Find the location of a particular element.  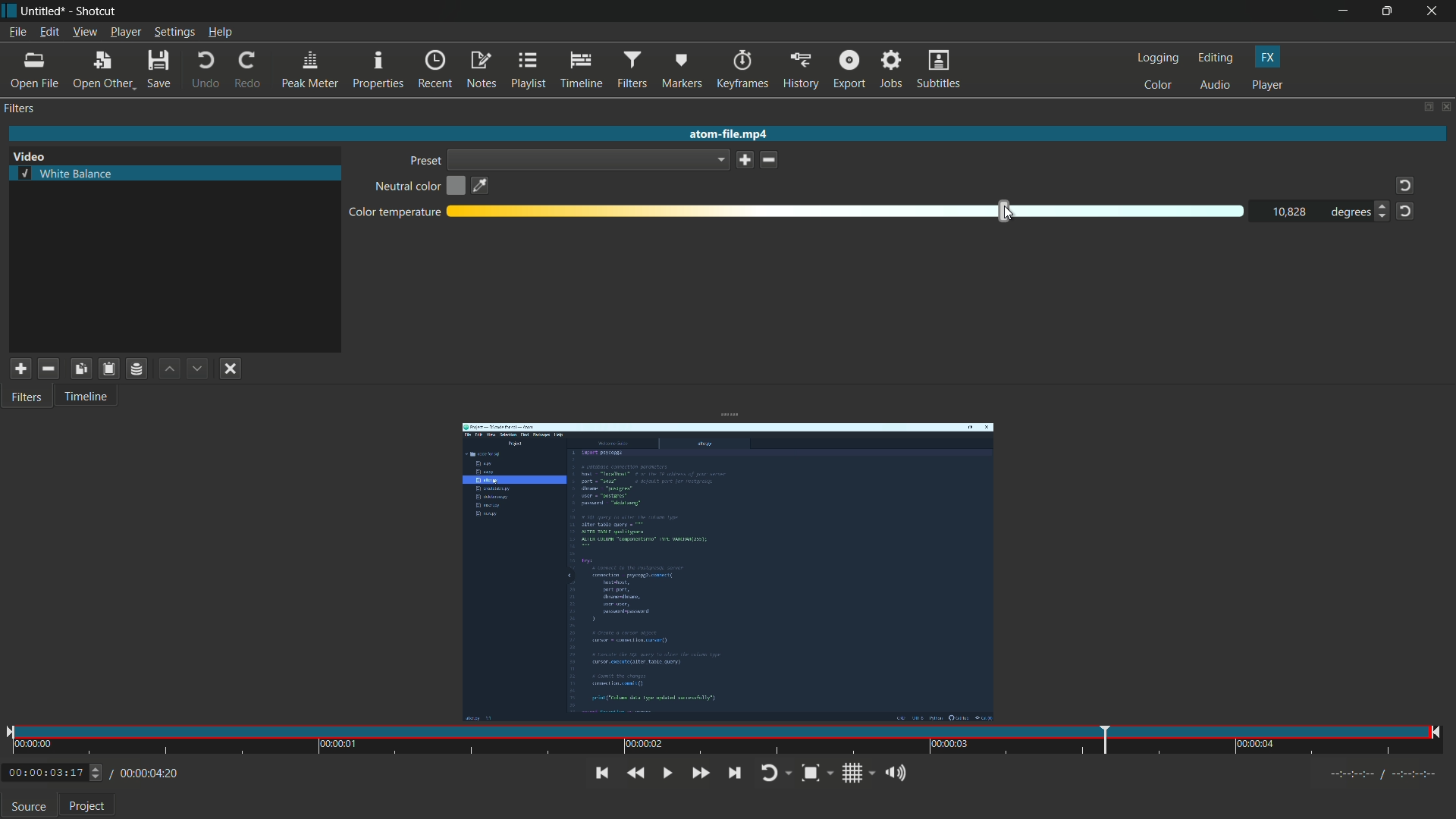

add filter is located at coordinates (20, 370).